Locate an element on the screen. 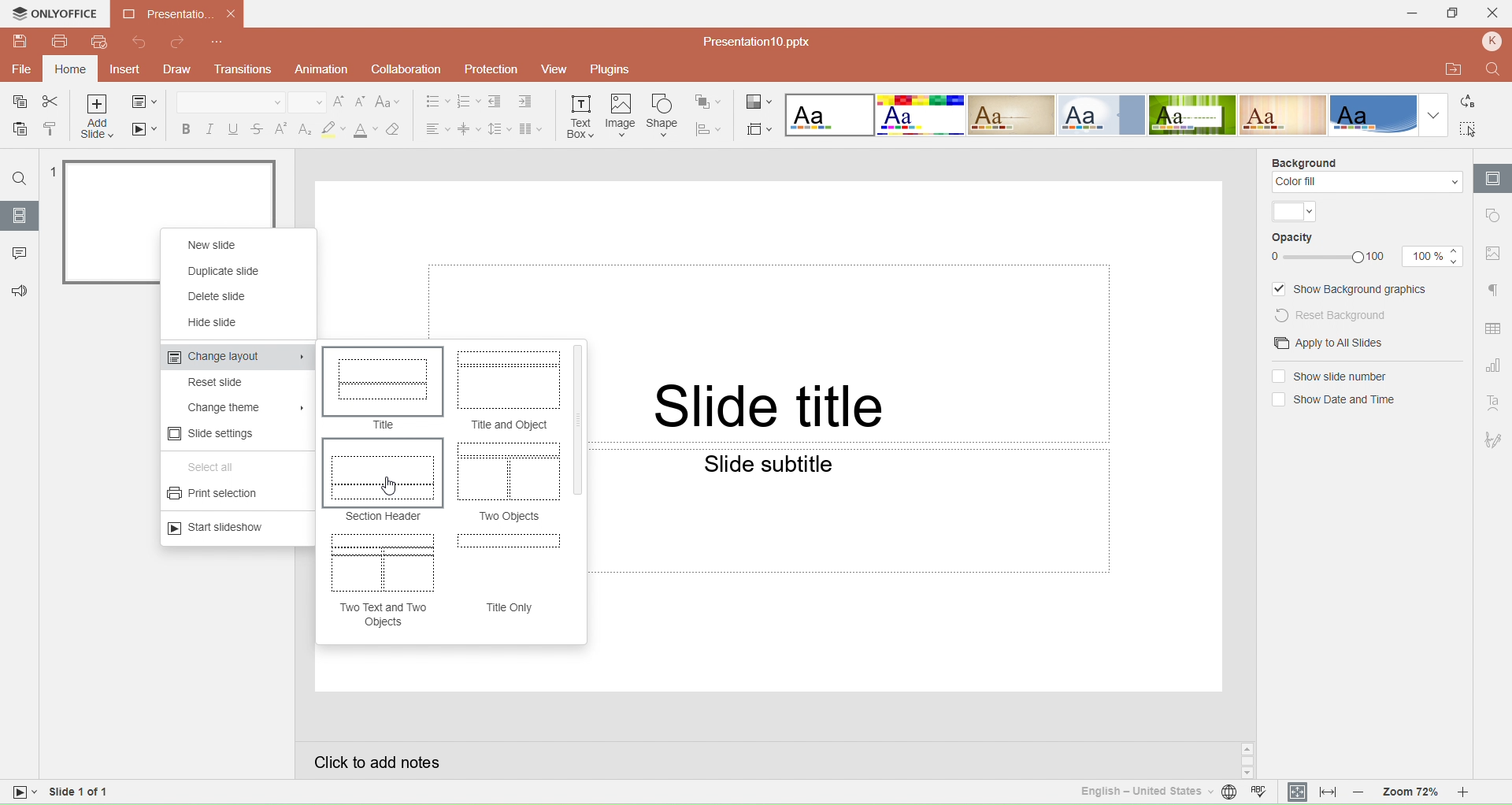 The height and width of the screenshot is (805, 1512). (un)select Show slide number is located at coordinates (1329, 377).